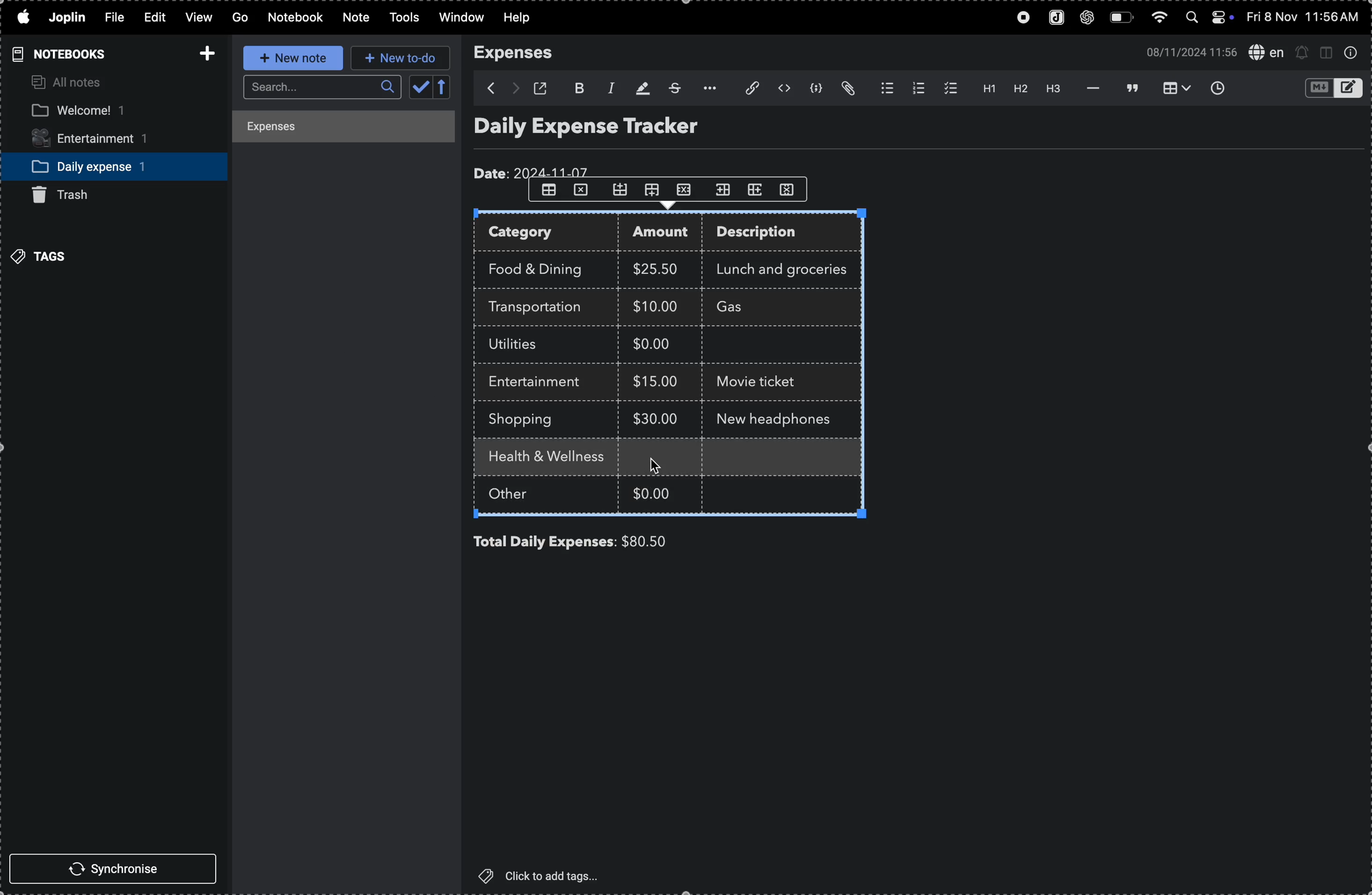 The width and height of the screenshot is (1372, 895). I want to click on , so click(621, 189).